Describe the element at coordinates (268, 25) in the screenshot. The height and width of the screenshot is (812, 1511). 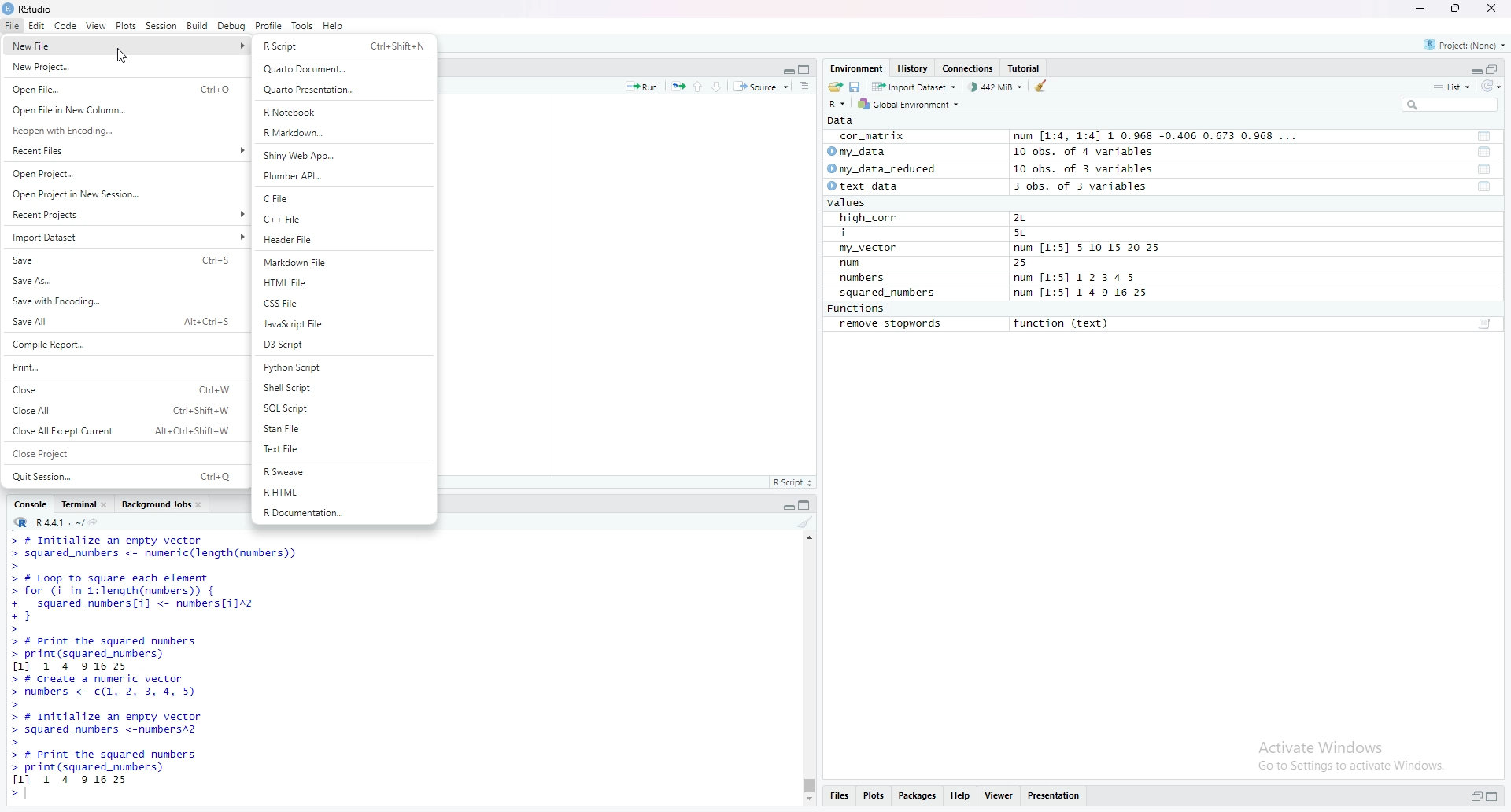
I see `Profile` at that location.